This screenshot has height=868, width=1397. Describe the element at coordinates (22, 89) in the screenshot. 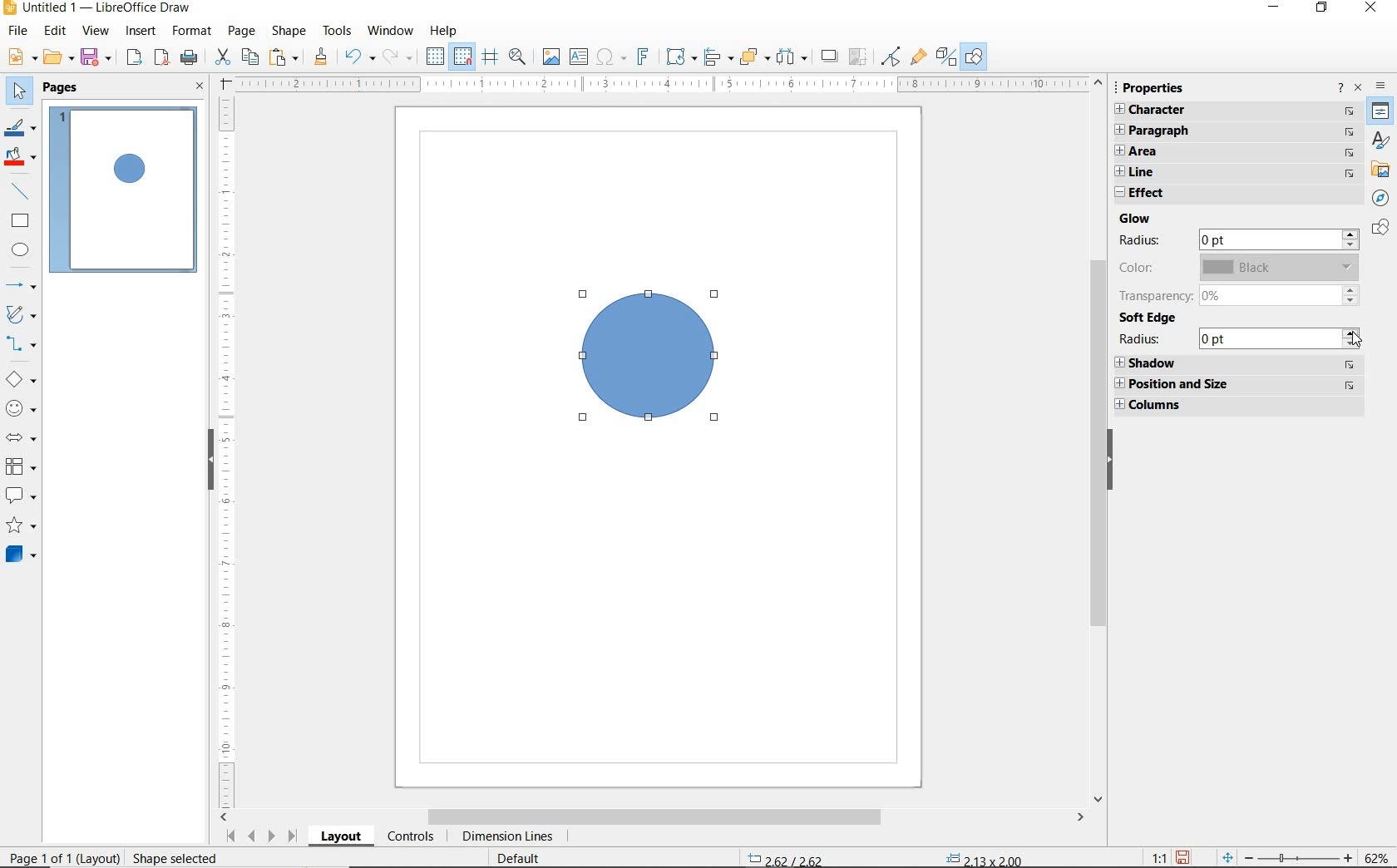

I see `SELECT` at that location.